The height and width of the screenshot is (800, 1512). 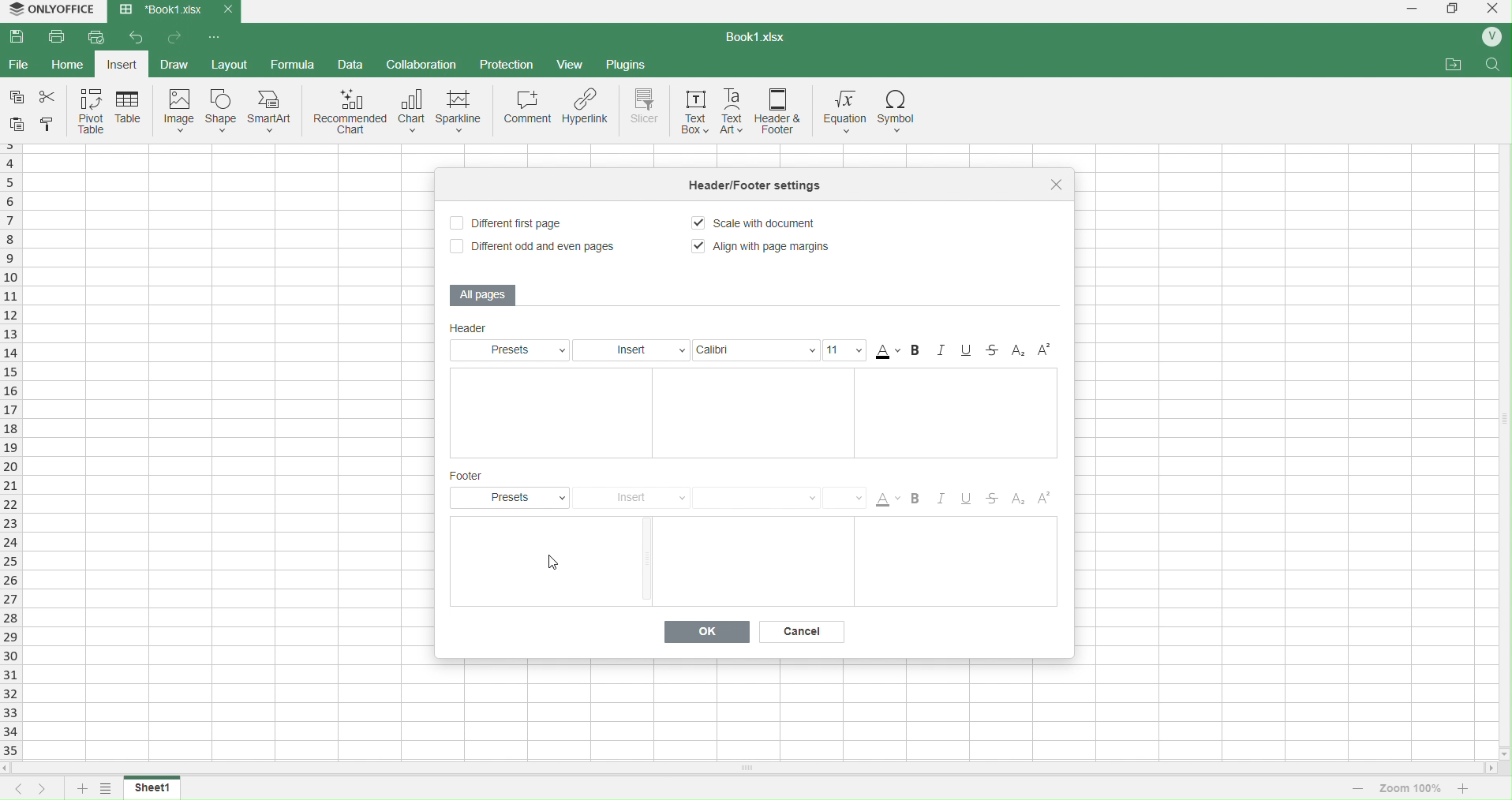 I want to click on collaboration, so click(x=424, y=64).